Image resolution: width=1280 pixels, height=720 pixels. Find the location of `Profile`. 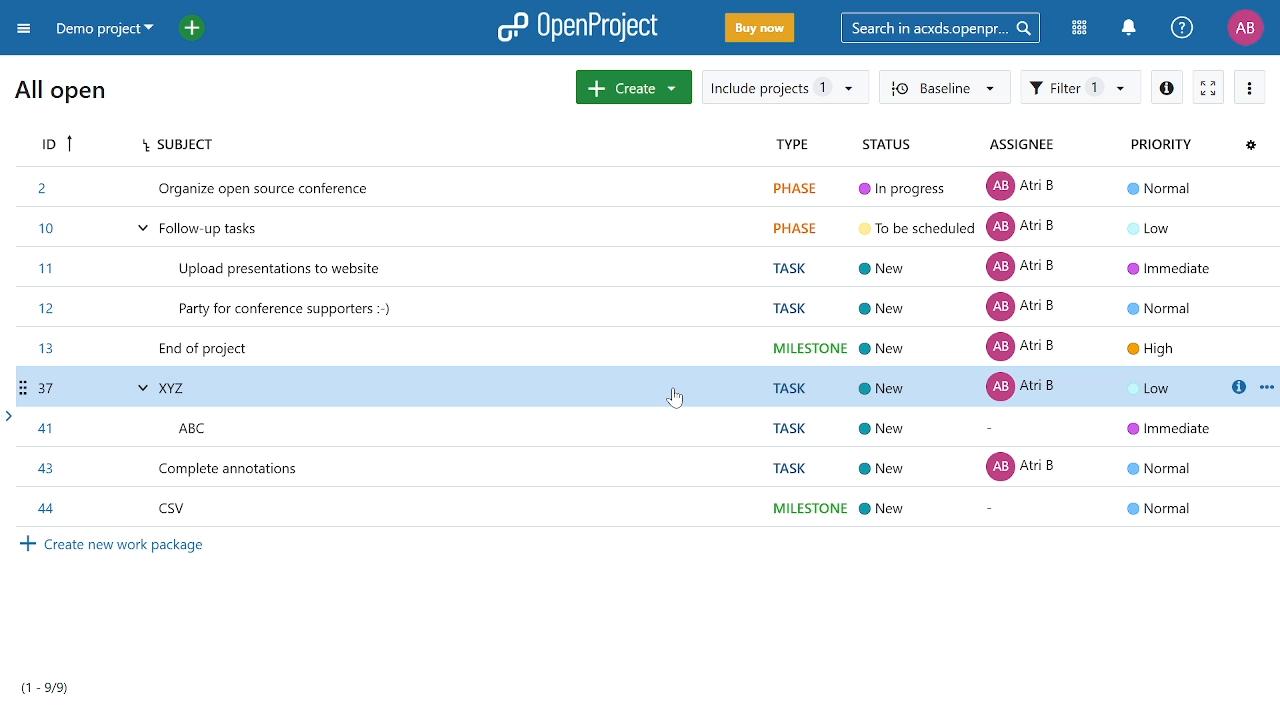

Profile is located at coordinates (1246, 28).